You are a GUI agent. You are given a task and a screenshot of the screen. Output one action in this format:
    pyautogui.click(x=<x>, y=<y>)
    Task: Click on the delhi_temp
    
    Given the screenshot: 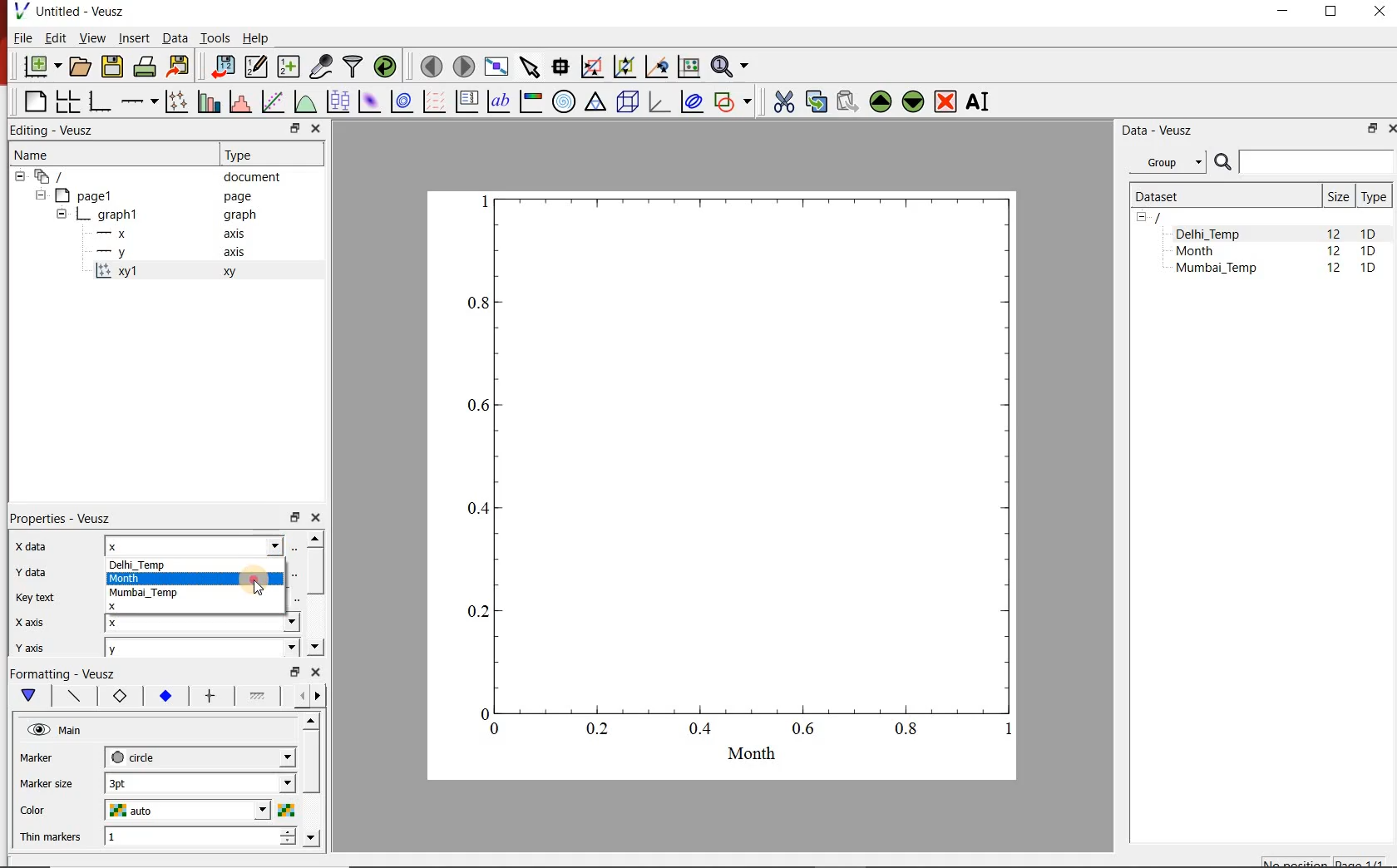 What is the action you would take?
    pyautogui.click(x=195, y=565)
    